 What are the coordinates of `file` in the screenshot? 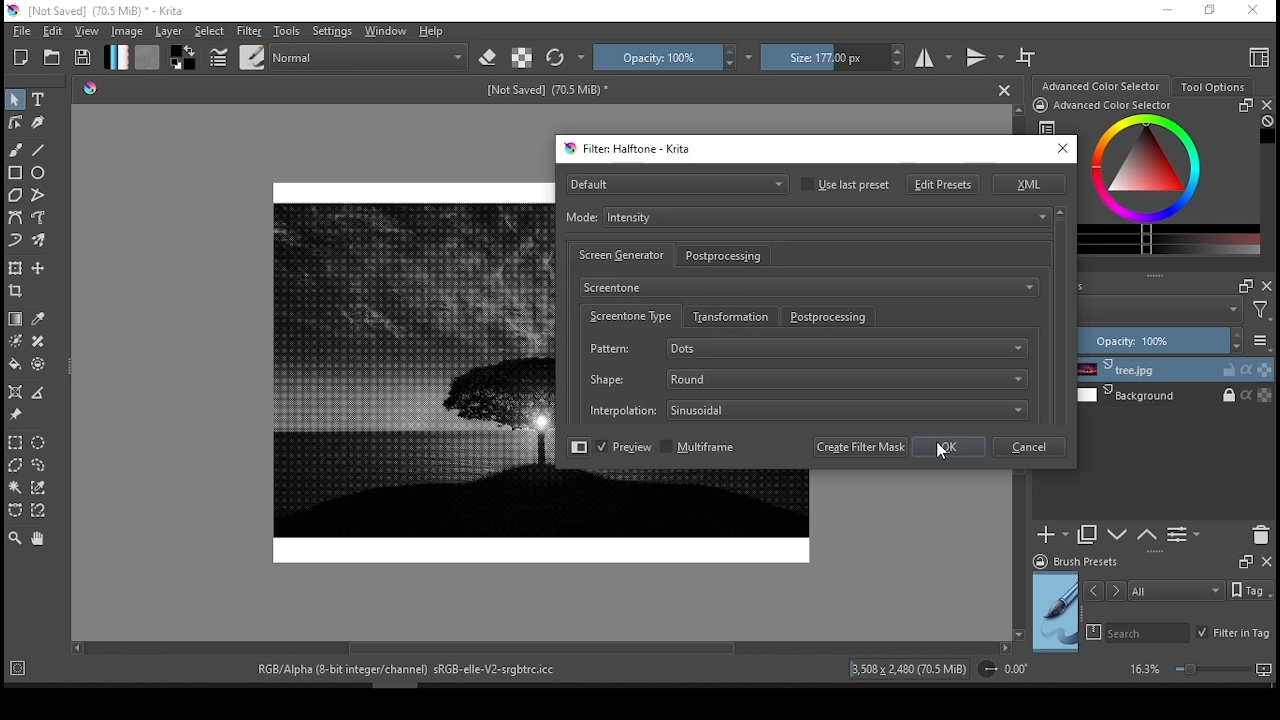 It's located at (20, 31).